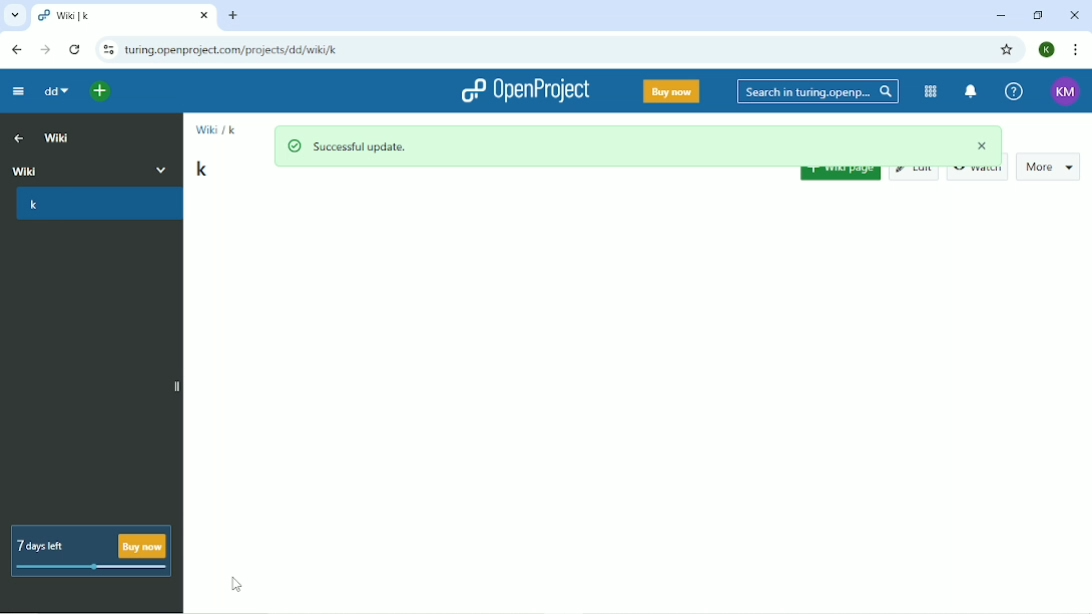  What do you see at coordinates (971, 91) in the screenshot?
I see `To notification center` at bounding box center [971, 91].